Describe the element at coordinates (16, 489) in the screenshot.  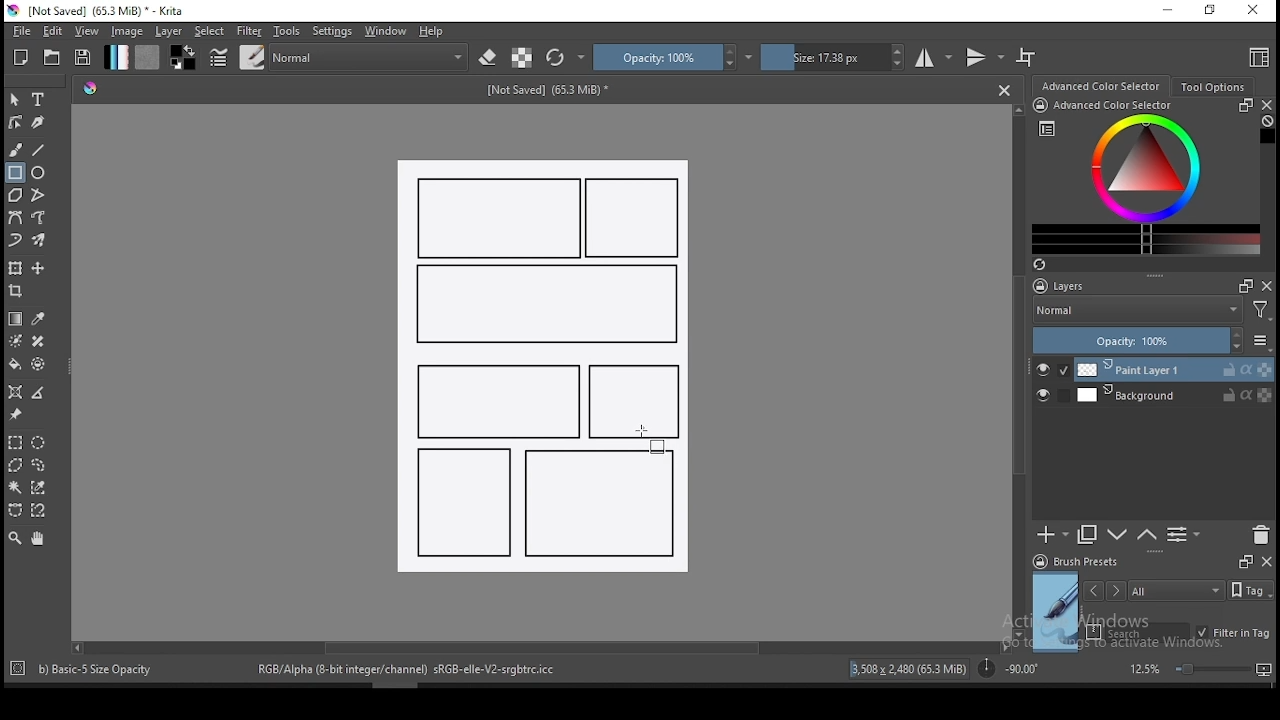
I see `contiguous selection tool` at that location.